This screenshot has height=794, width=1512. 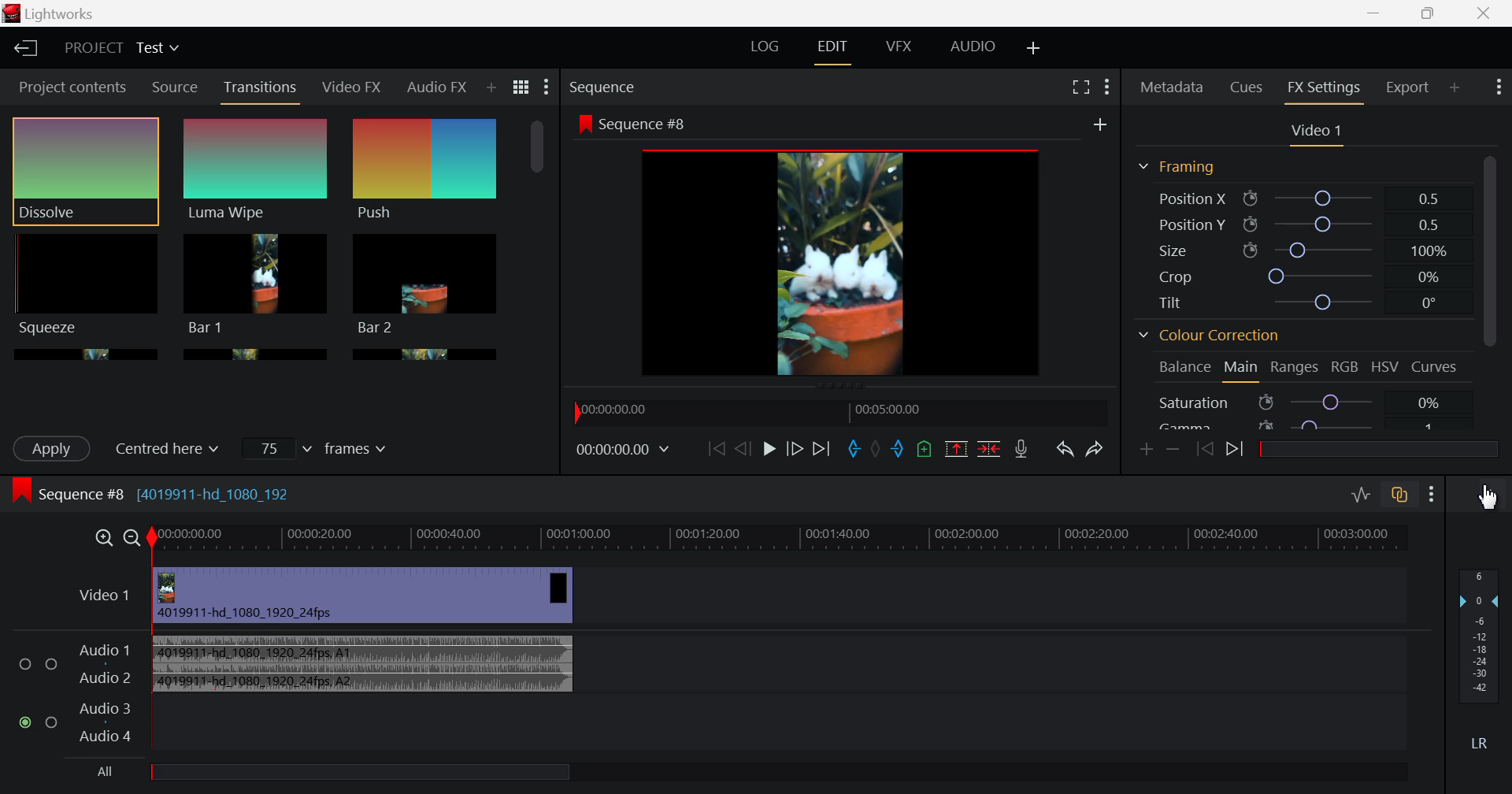 I want to click on Main Tab Open, so click(x=1242, y=369).